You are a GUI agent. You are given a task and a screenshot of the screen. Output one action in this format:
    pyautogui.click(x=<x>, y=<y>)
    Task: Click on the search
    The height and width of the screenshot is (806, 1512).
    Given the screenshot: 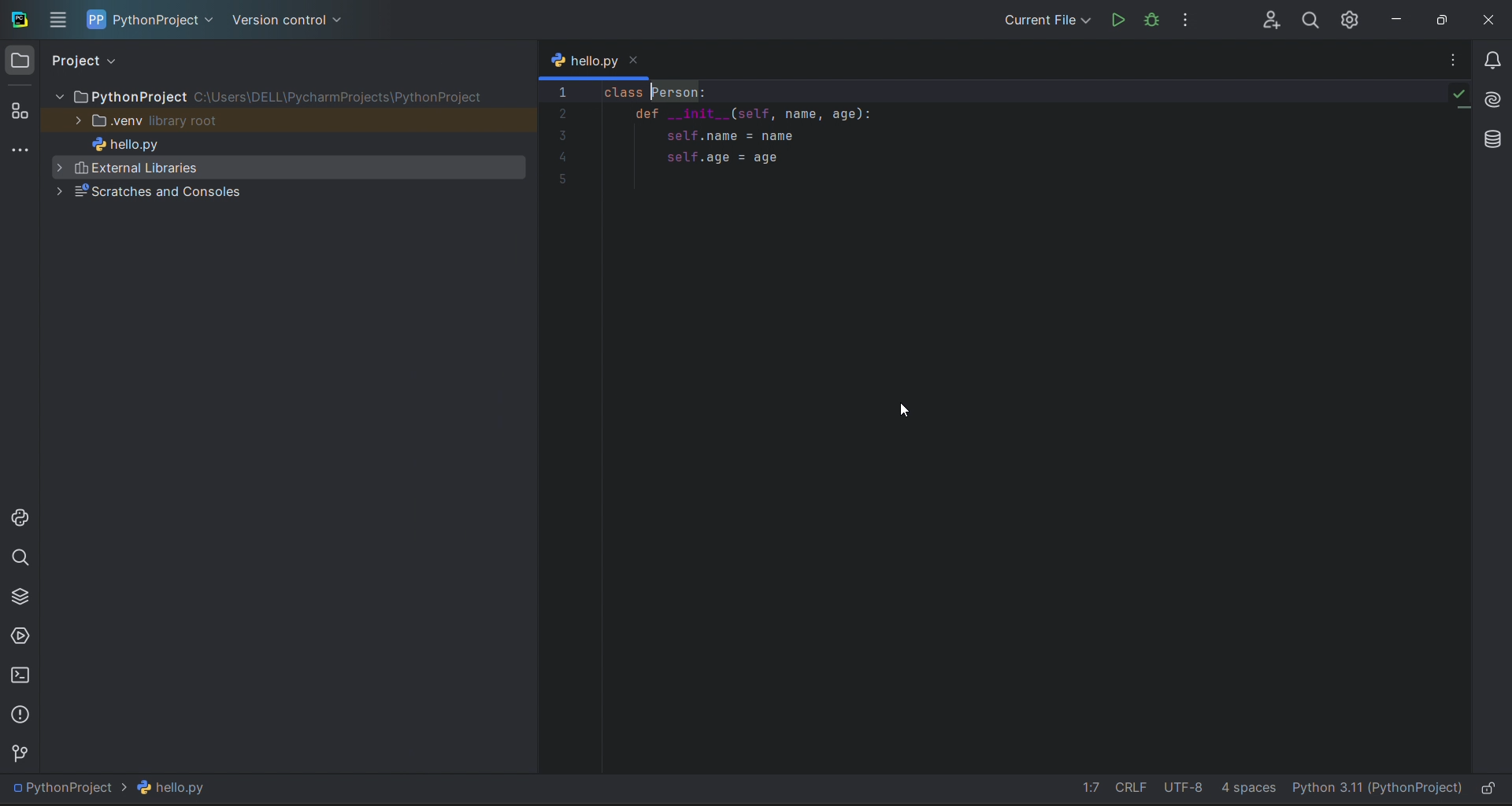 What is the action you would take?
    pyautogui.click(x=20, y=557)
    